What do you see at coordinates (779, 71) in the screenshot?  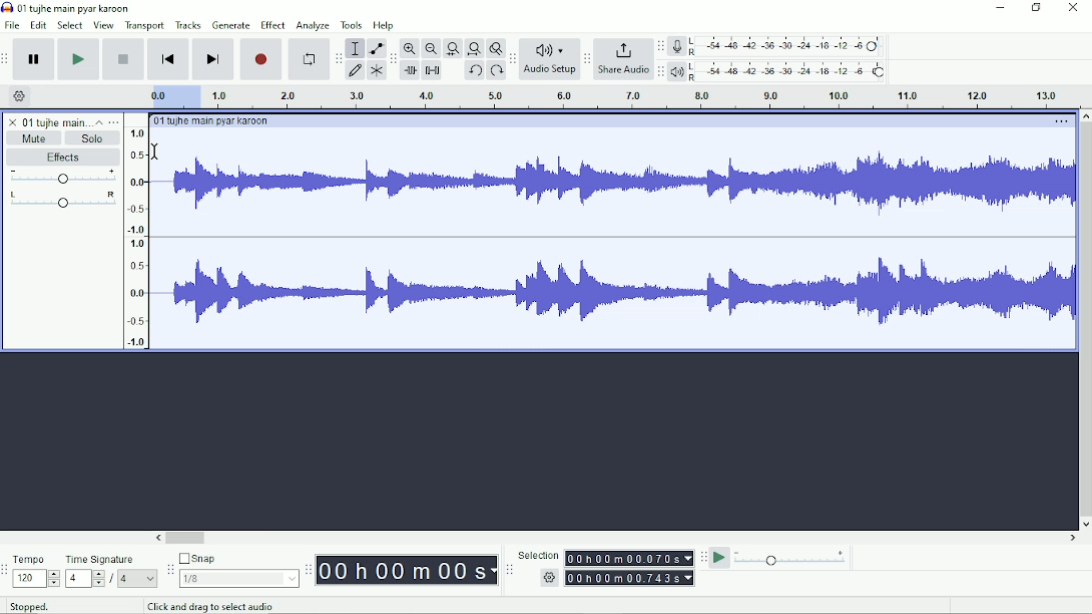 I see `Playback Meter` at bounding box center [779, 71].